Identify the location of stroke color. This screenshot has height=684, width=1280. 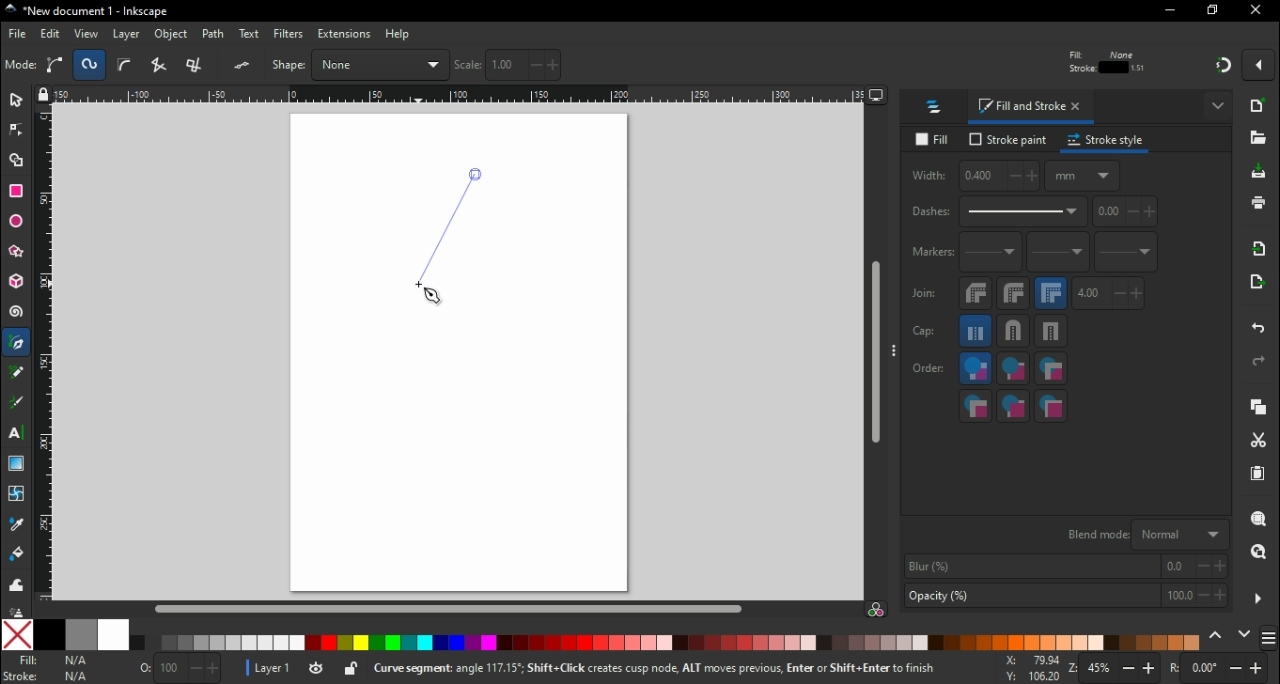
(48, 676).